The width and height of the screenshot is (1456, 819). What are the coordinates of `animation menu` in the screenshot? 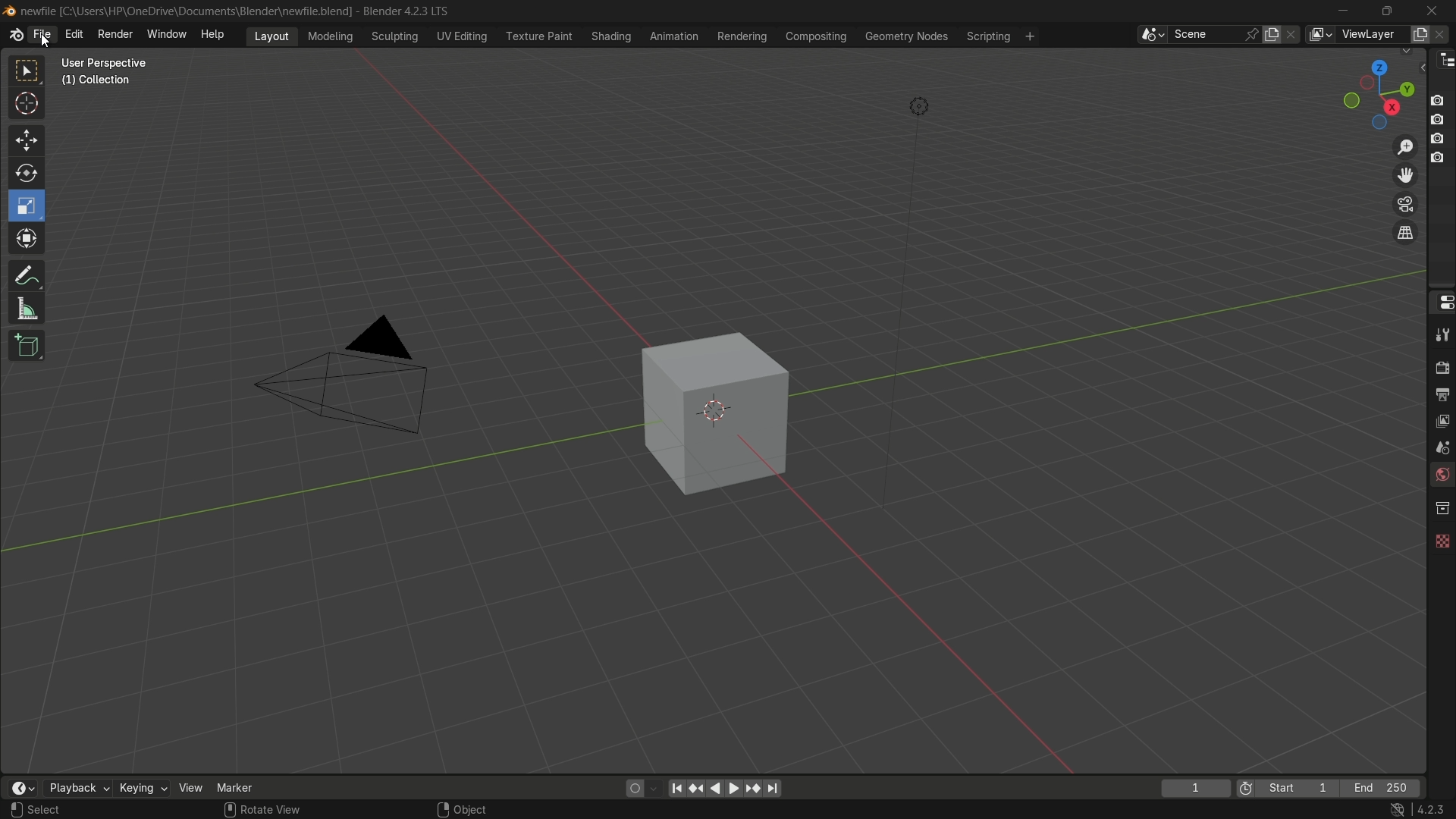 It's located at (674, 36).